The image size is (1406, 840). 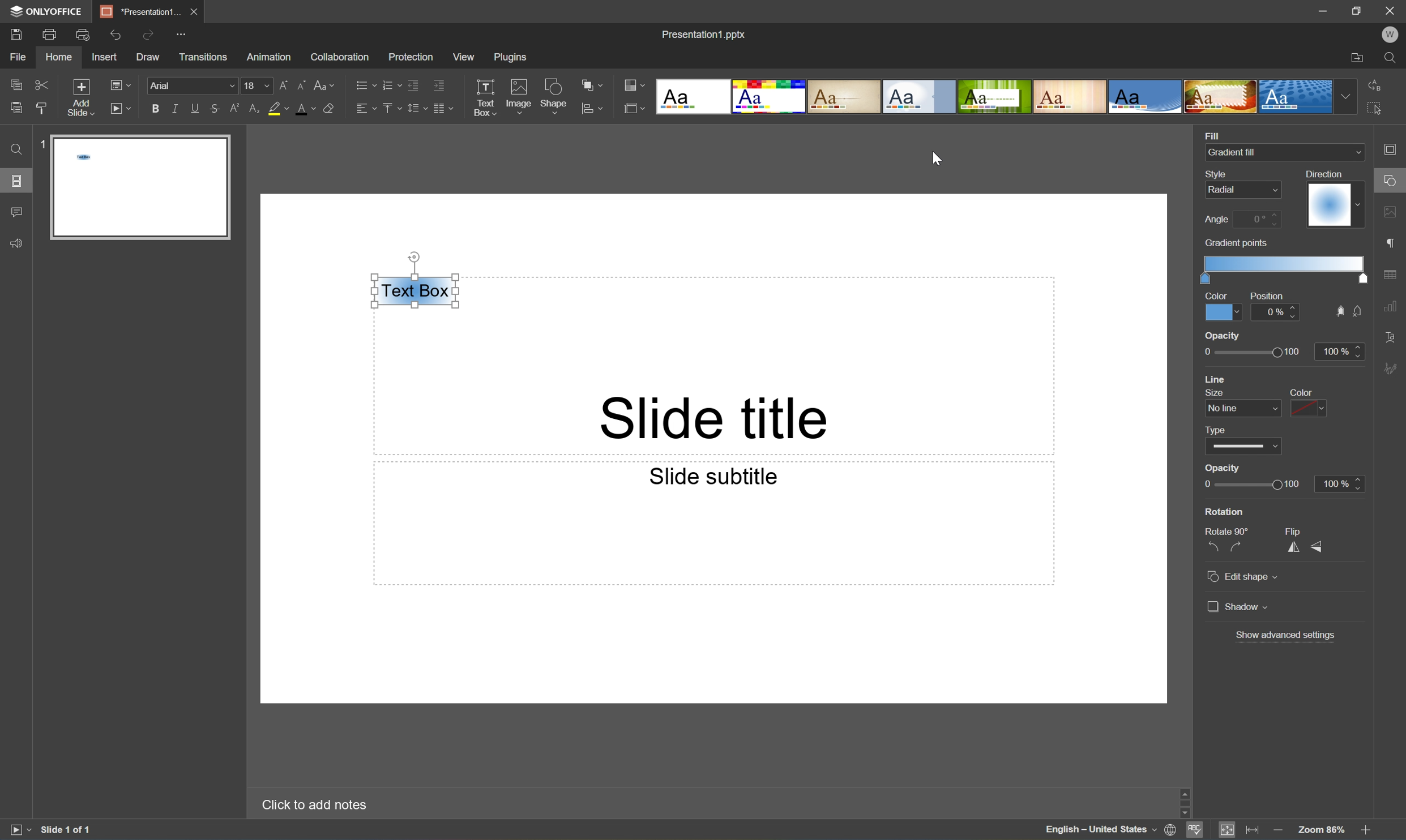 I want to click on W, so click(x=1393, y=36).